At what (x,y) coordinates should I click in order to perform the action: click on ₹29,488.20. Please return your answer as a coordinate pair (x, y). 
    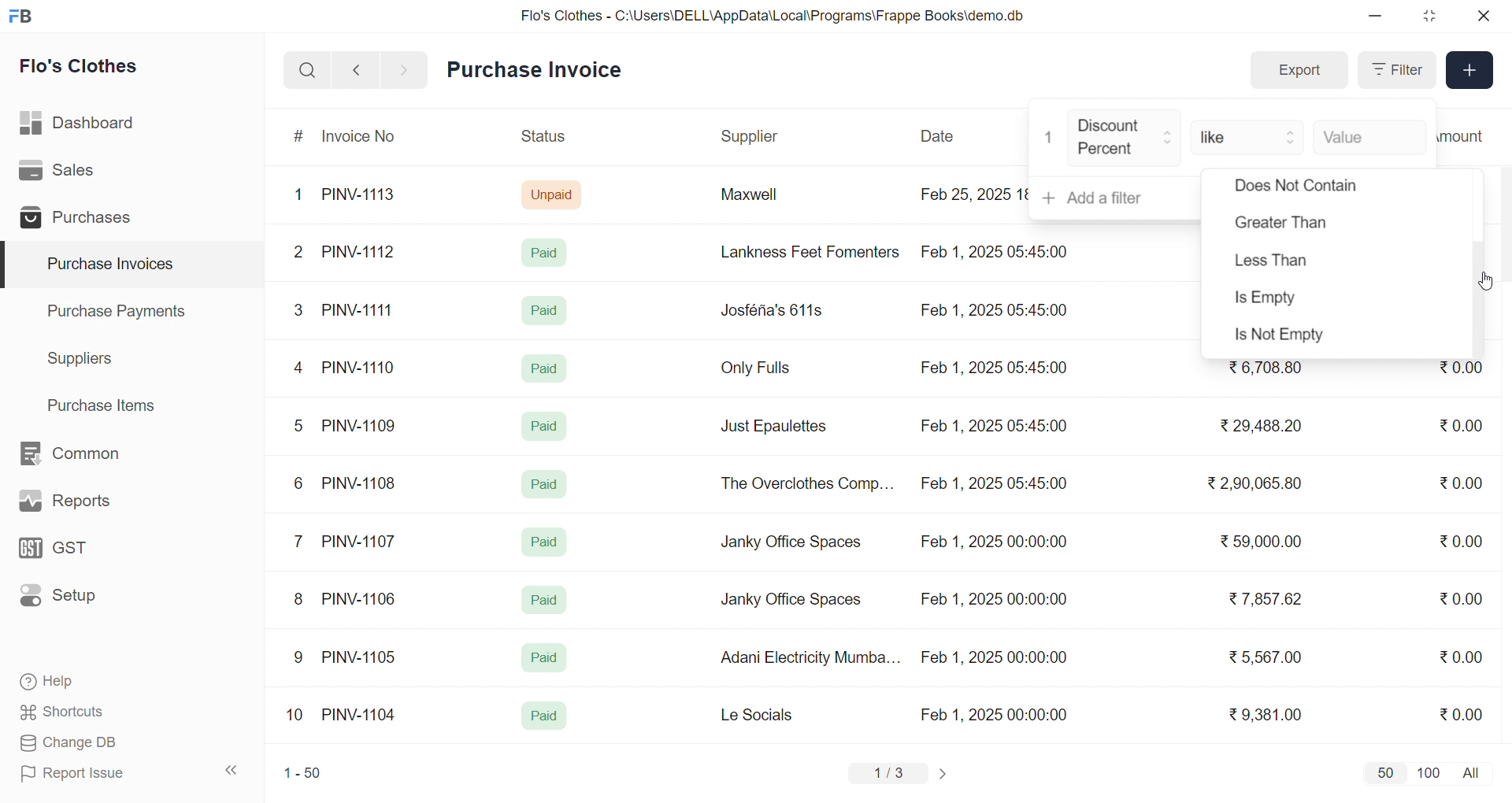
    Looking at the image, I should click on (1256, 426).